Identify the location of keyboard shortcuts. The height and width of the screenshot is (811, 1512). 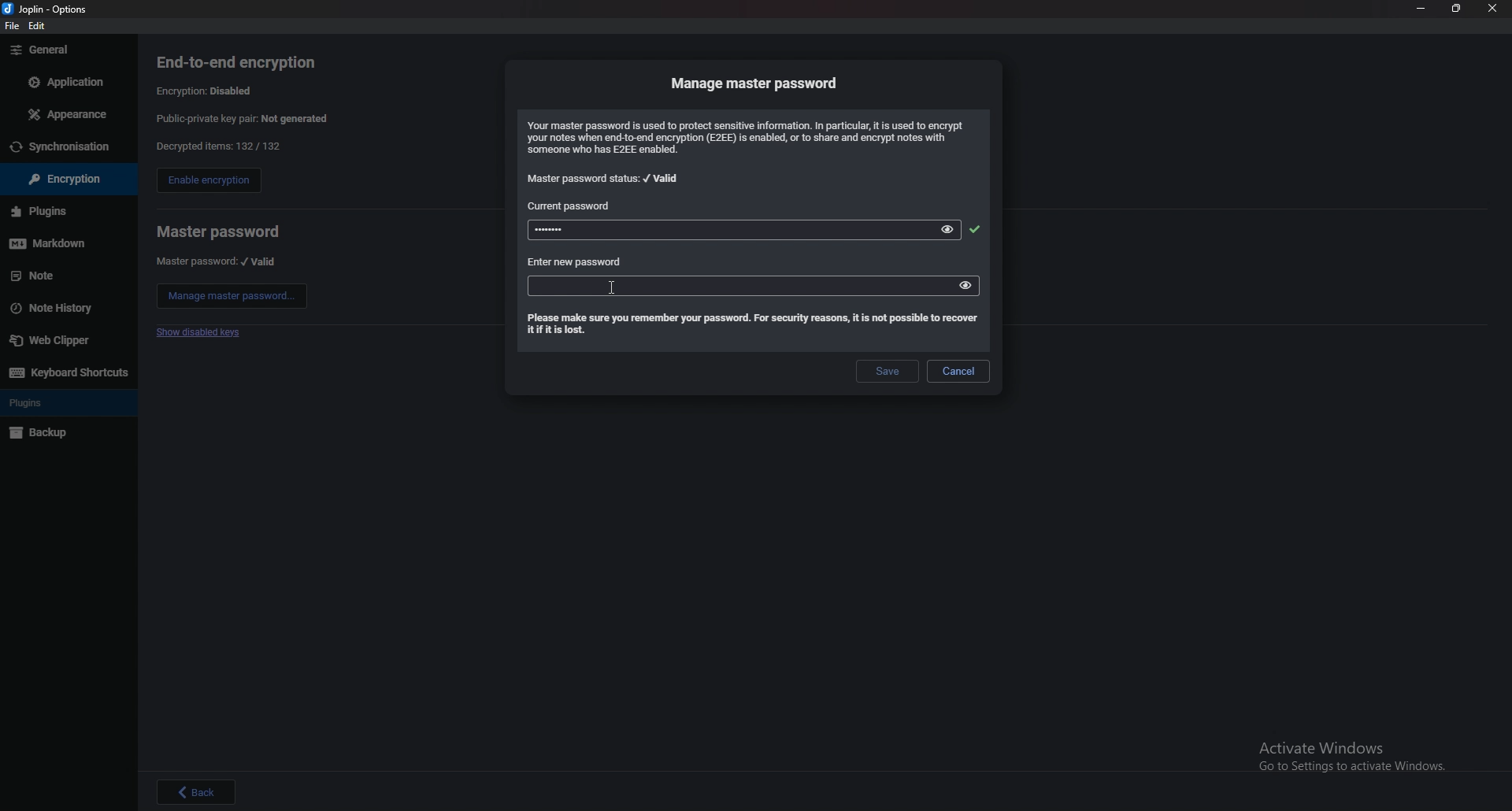
(67, 372).